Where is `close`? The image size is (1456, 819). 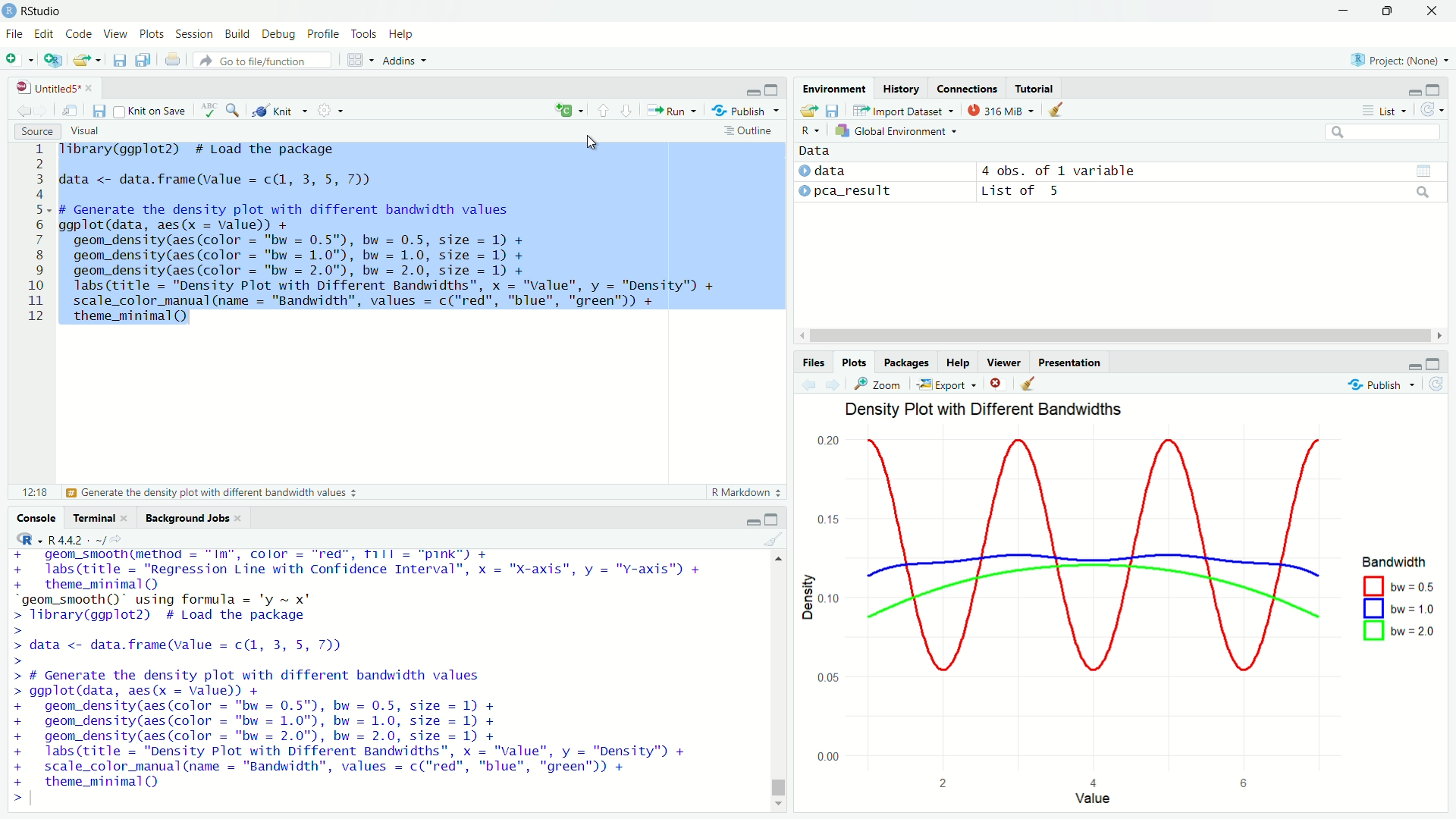 close is located at coordinates (89, 88).